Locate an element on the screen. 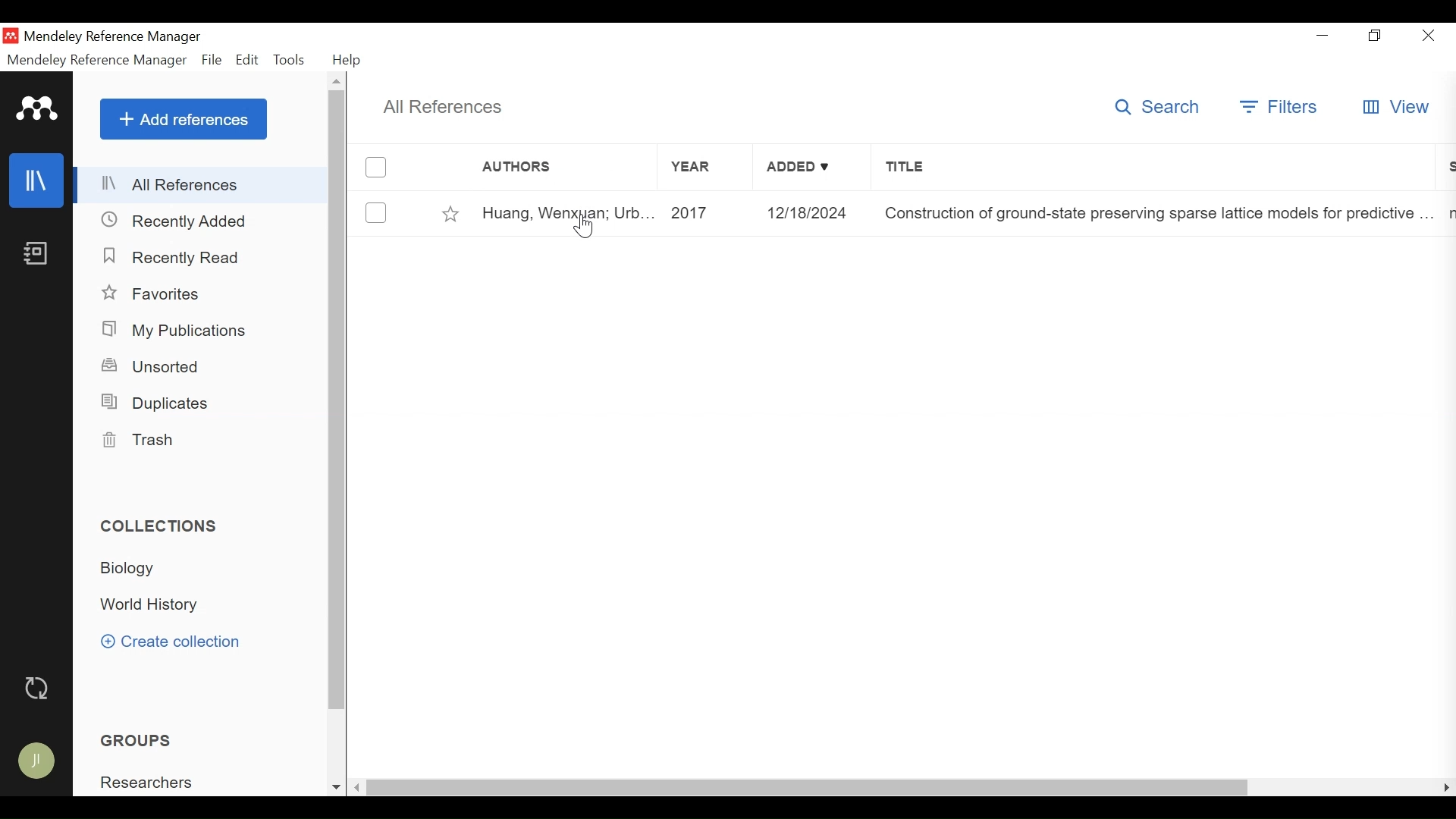 The width and height of the screenshot is (1456, 819). Scroll up is located at coordinates (338, 82).